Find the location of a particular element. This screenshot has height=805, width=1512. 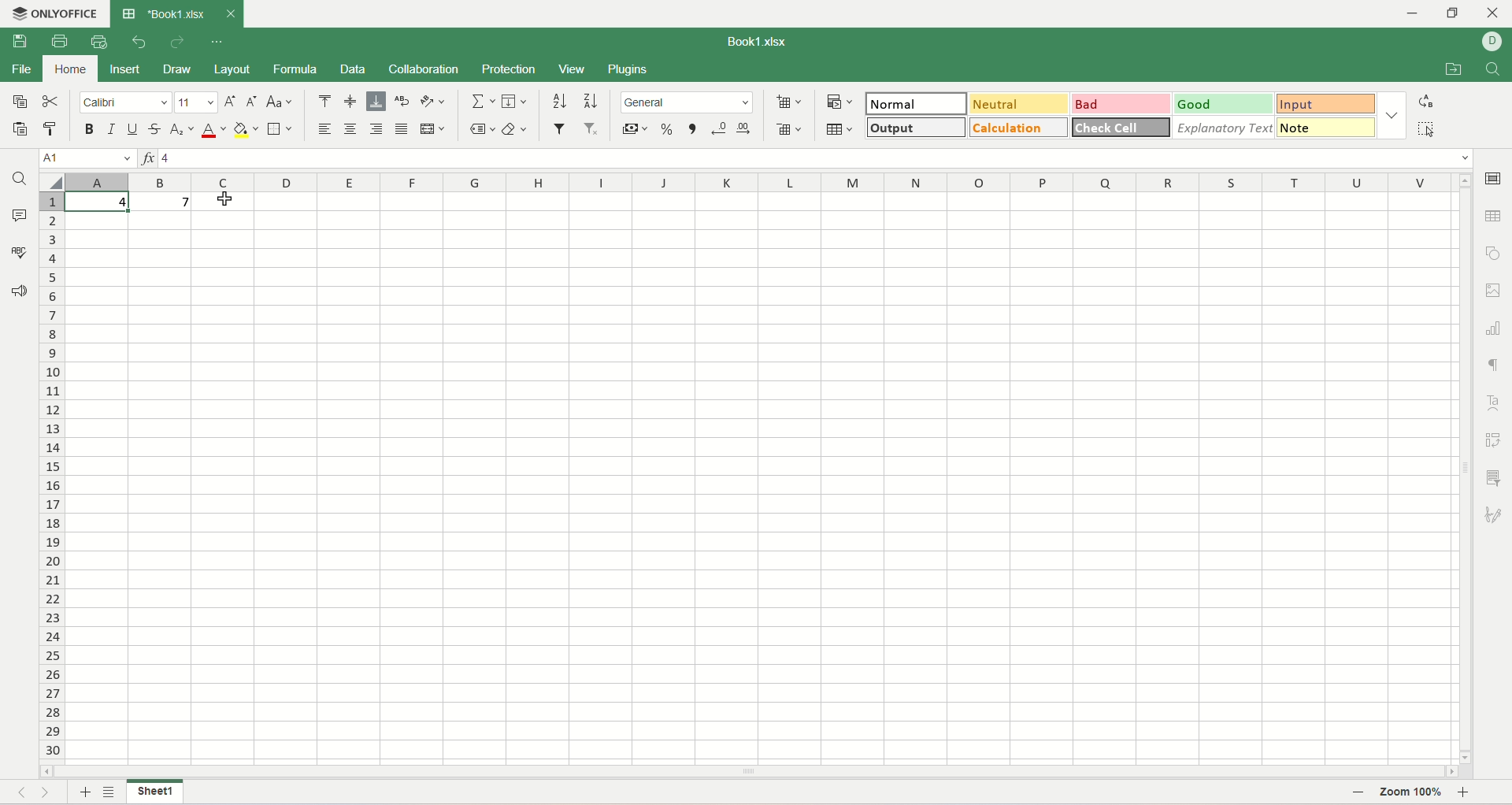

currency format is located at coordinates (634, 128).